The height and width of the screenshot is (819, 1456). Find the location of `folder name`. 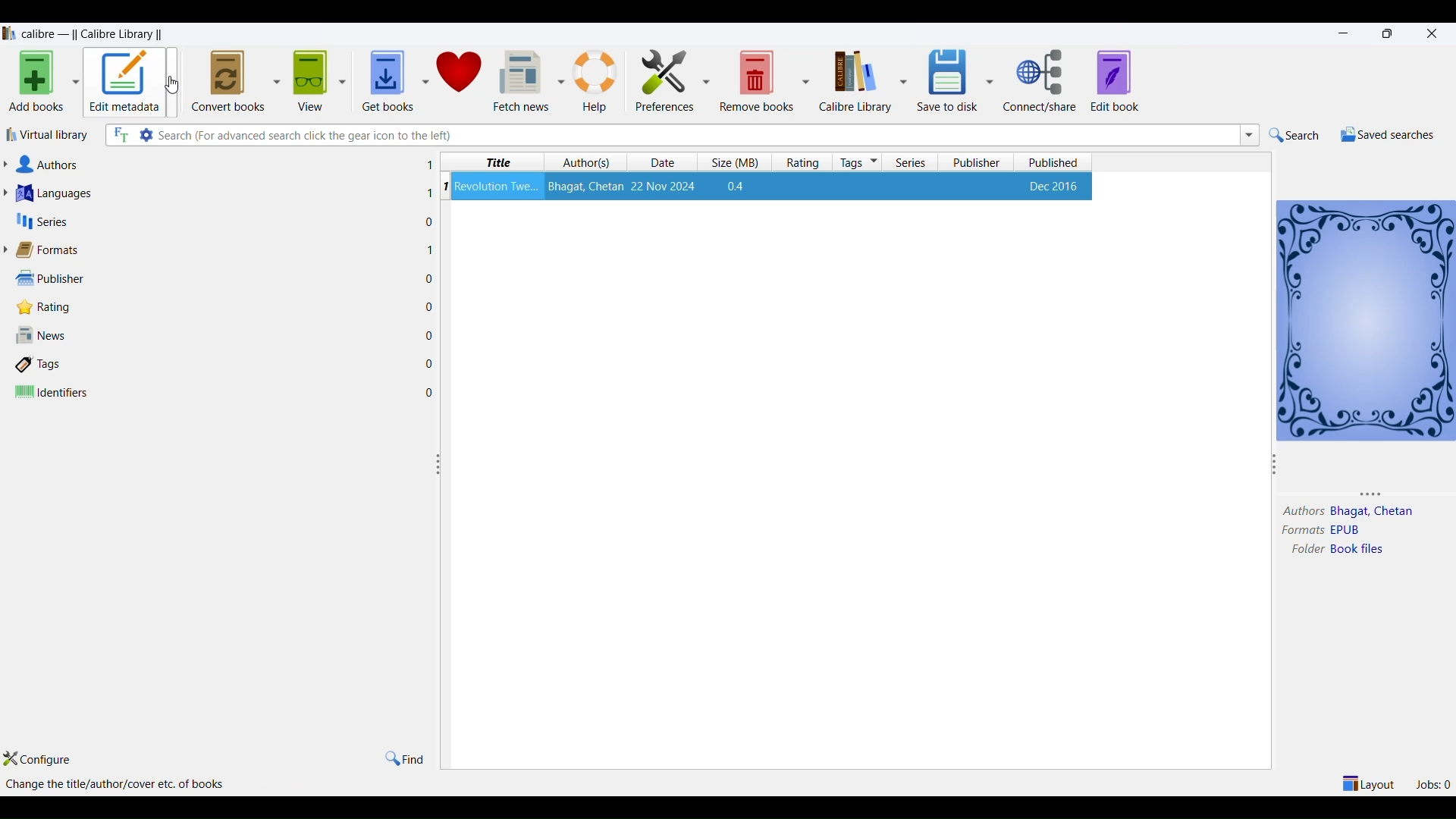

folder name is located at coordinates (1359, 553).